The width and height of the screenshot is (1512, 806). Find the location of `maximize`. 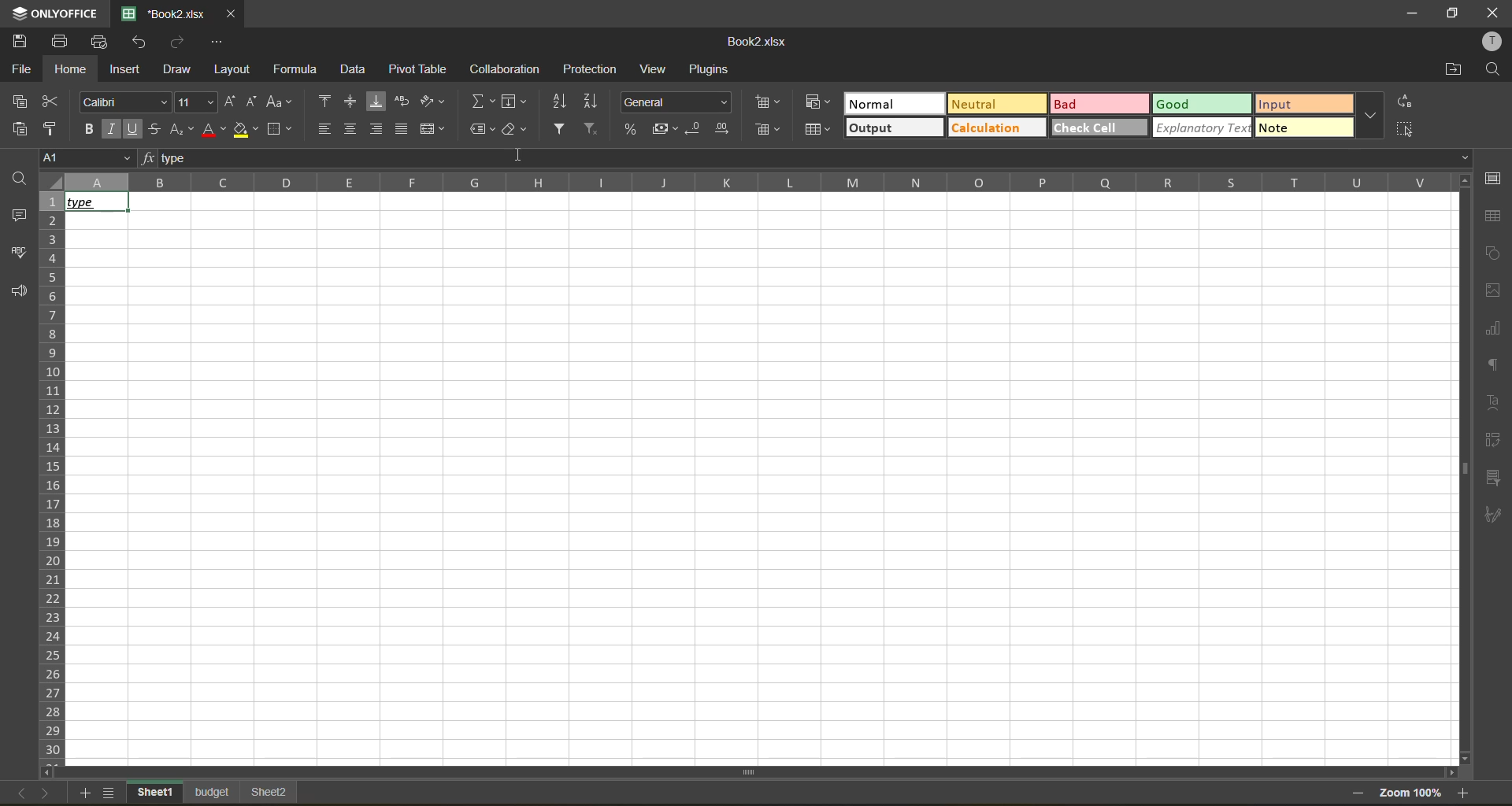

maximize is located at coordinates (1450, 13).